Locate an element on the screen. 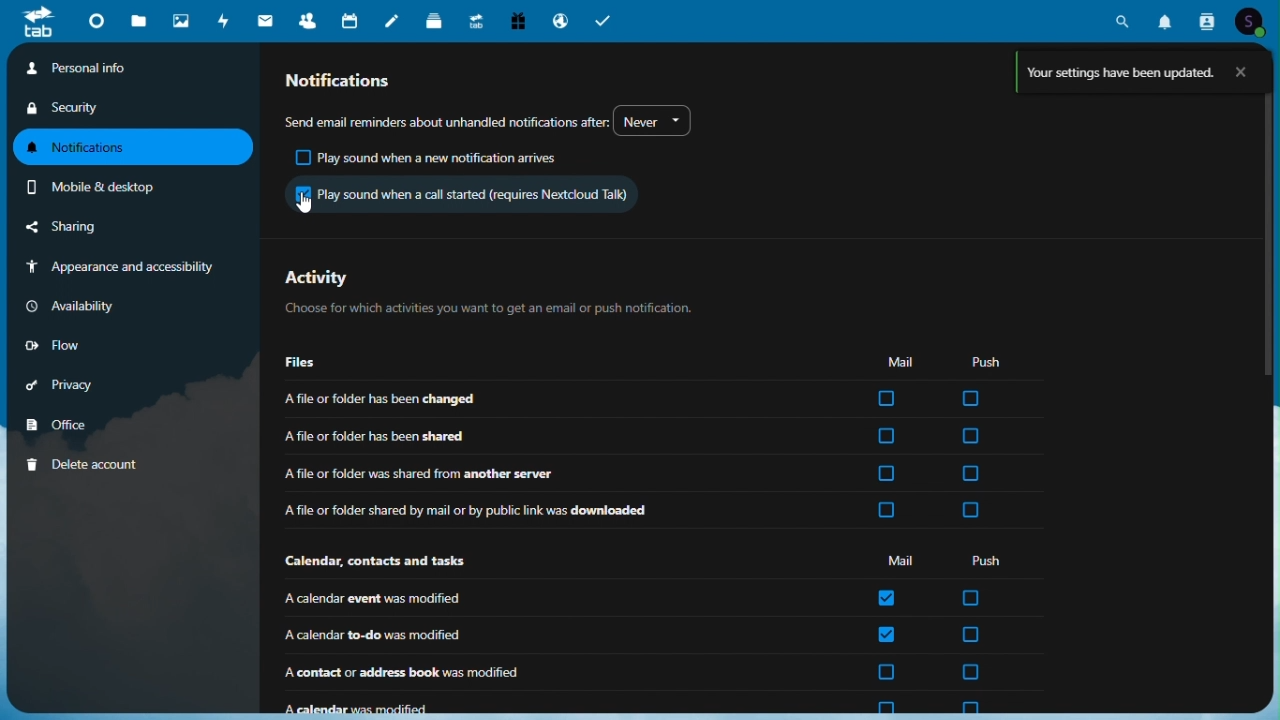 Image resolution: width=1280 pixels, height=720 pixels. a contact or address was modified is located at coordinates (536, 673).